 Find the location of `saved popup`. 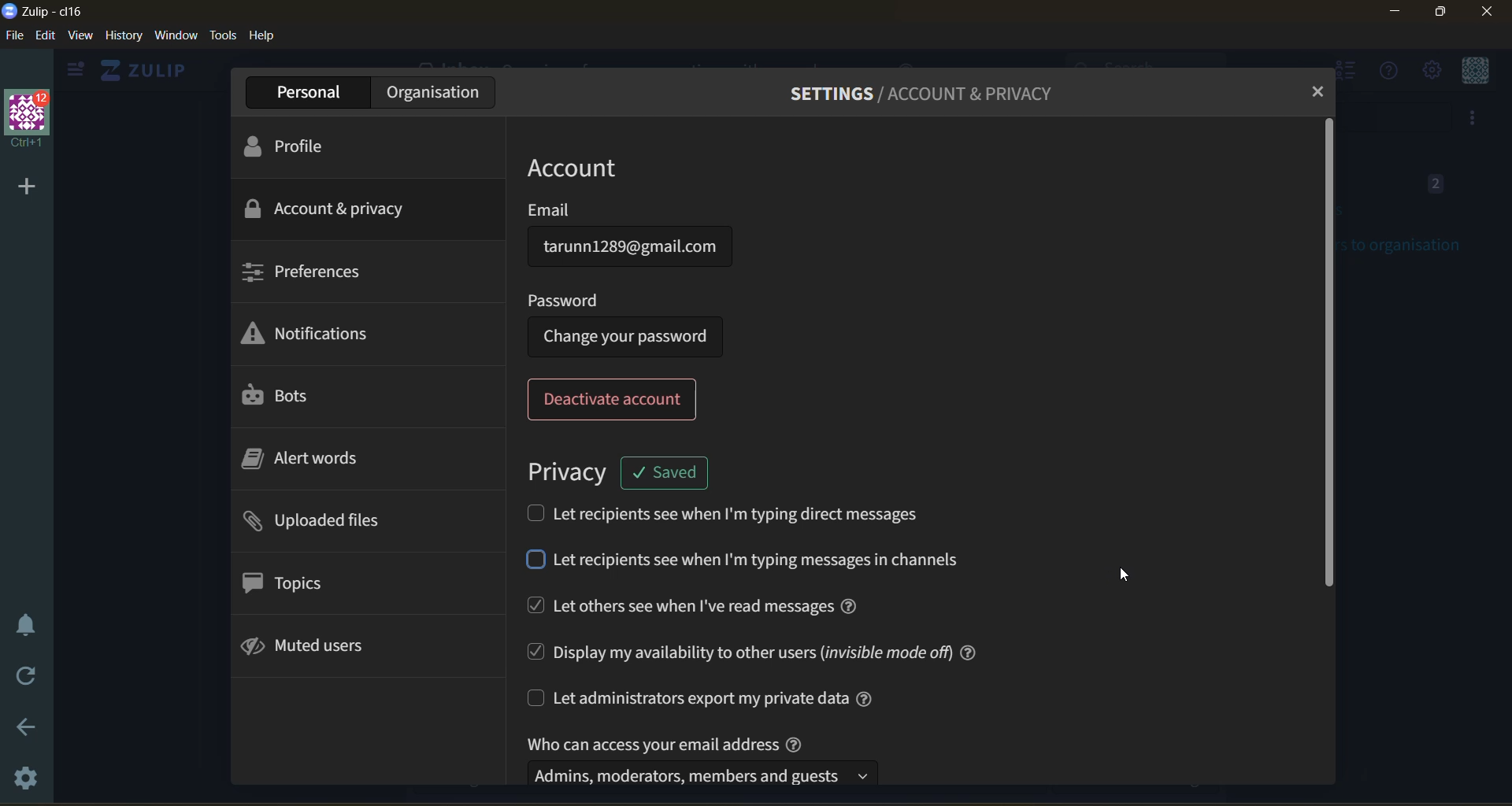

saved popup is located at coordinates (666, 471).